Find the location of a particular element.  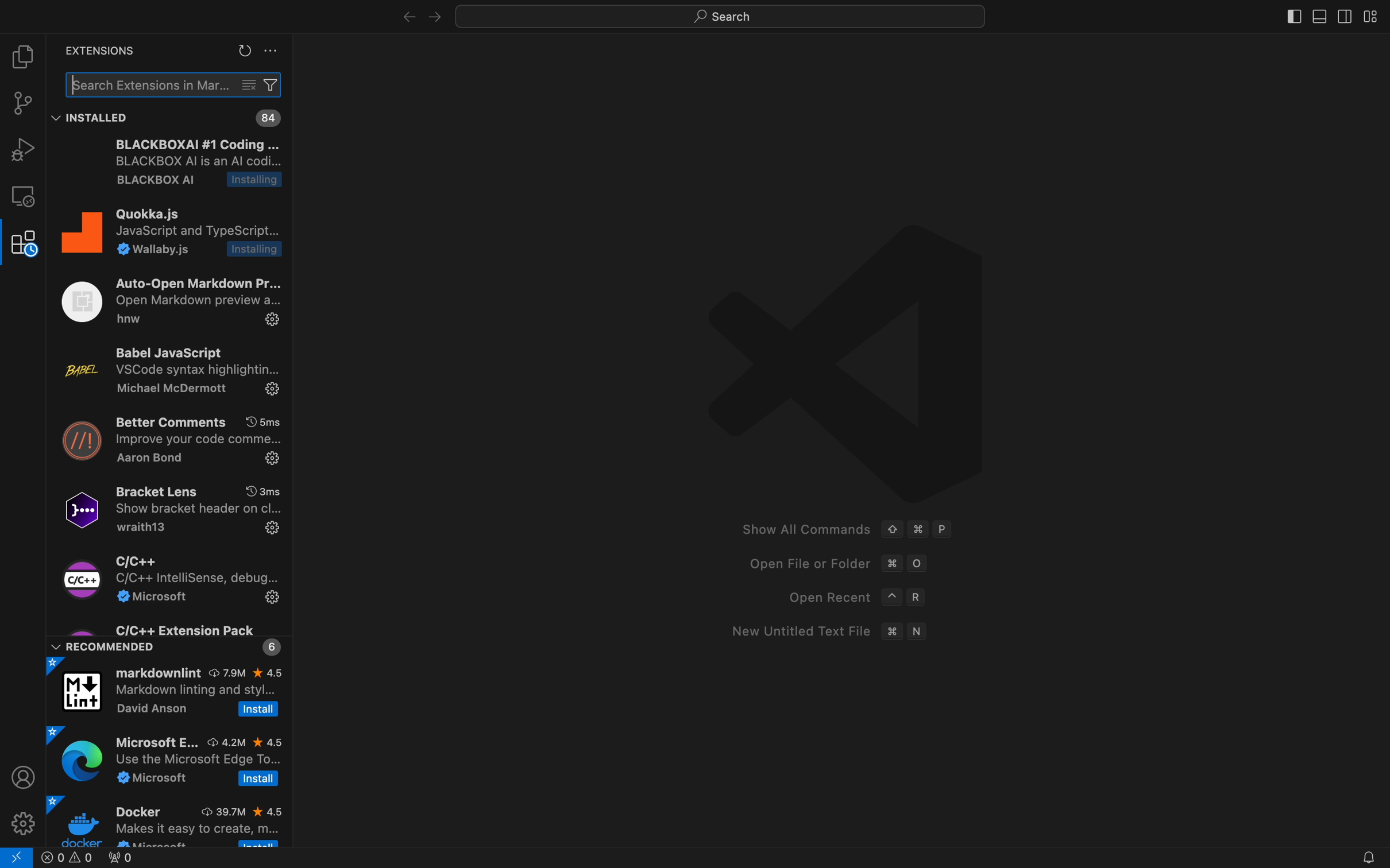

Bracket Lens DO 3ms
Show bracket header on cl...
wraith13 F2] is located at coordinates (167, 510).